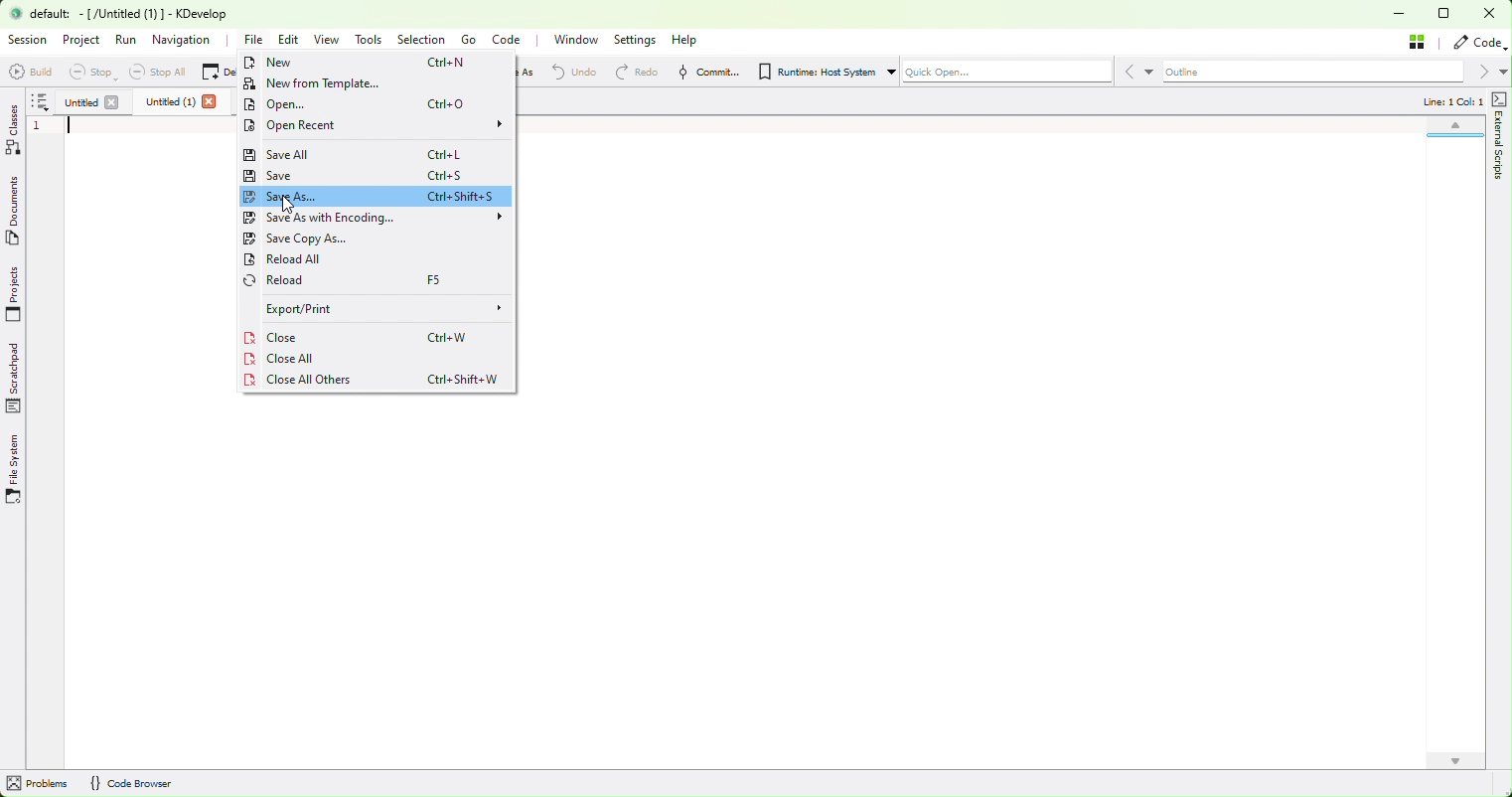 Image resolution: width=1512 pixels, height=797 pixels. Describe the element at coordinates (639, 41) in the screenshot. I see `Settings` at that location.